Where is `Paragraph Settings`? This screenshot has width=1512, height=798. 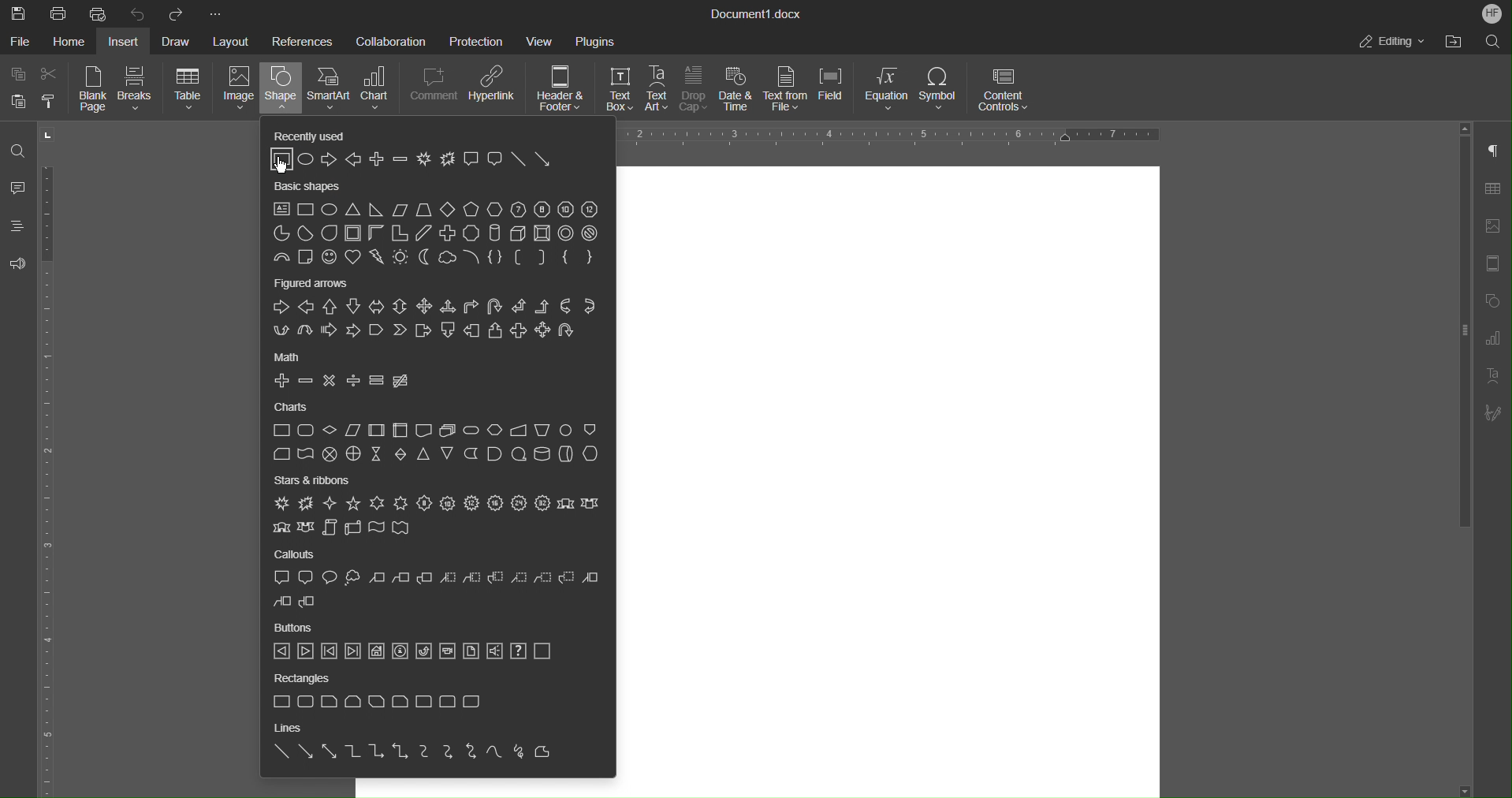 Paragraph Settings is located at coordinates (1498, 151).